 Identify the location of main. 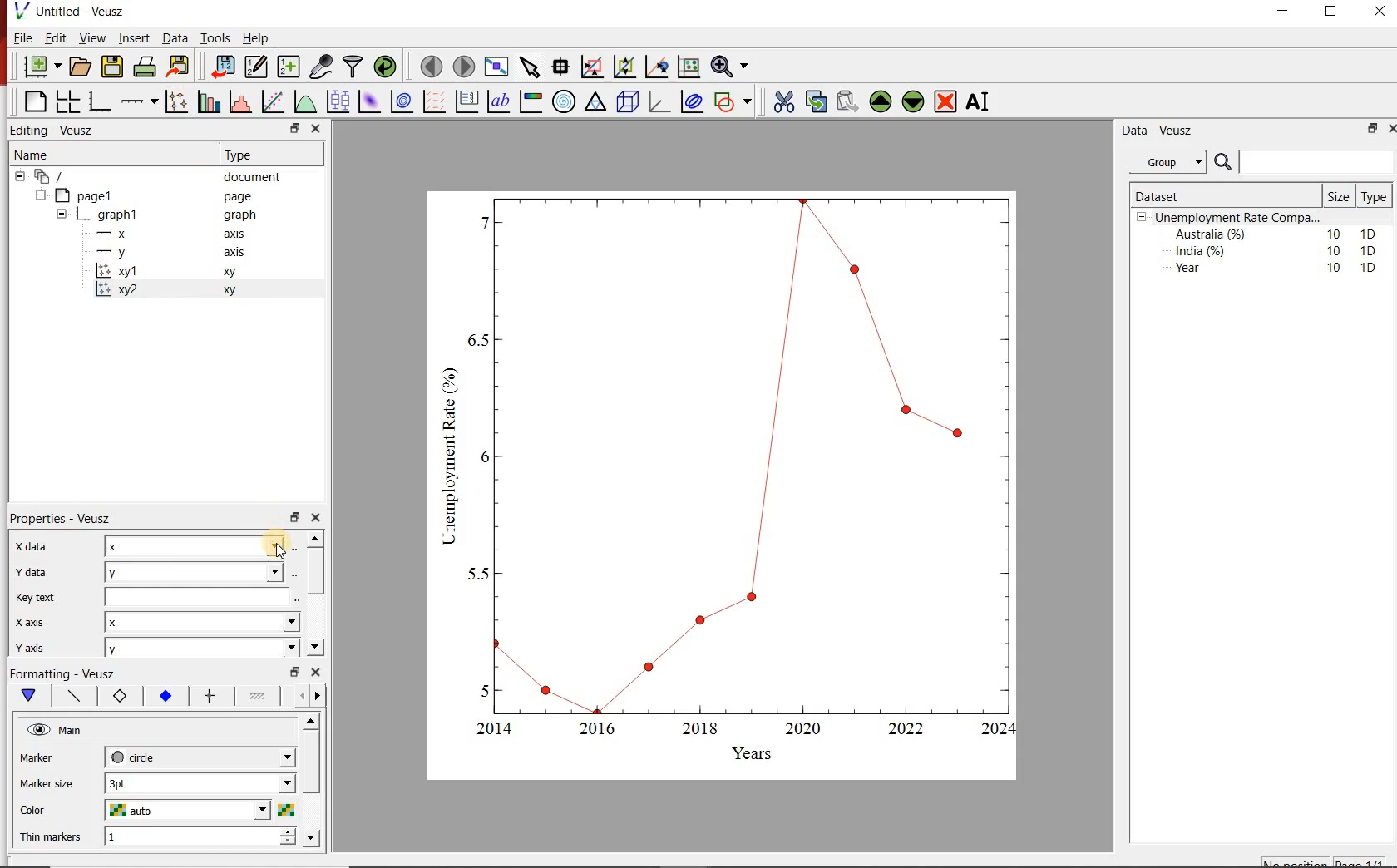
(32, 696).